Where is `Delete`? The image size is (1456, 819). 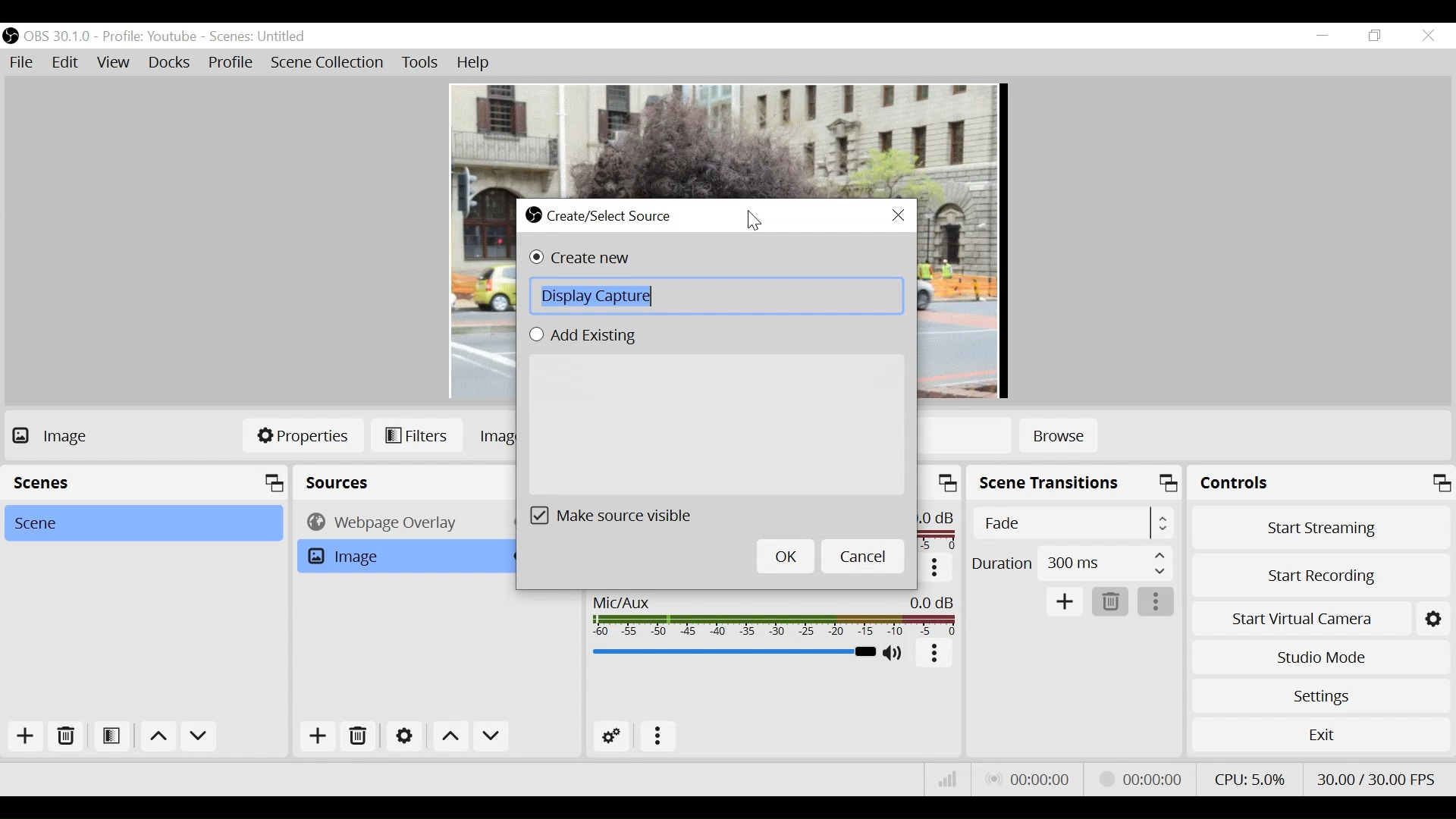 Delete is located at coordinates (1109, 602).